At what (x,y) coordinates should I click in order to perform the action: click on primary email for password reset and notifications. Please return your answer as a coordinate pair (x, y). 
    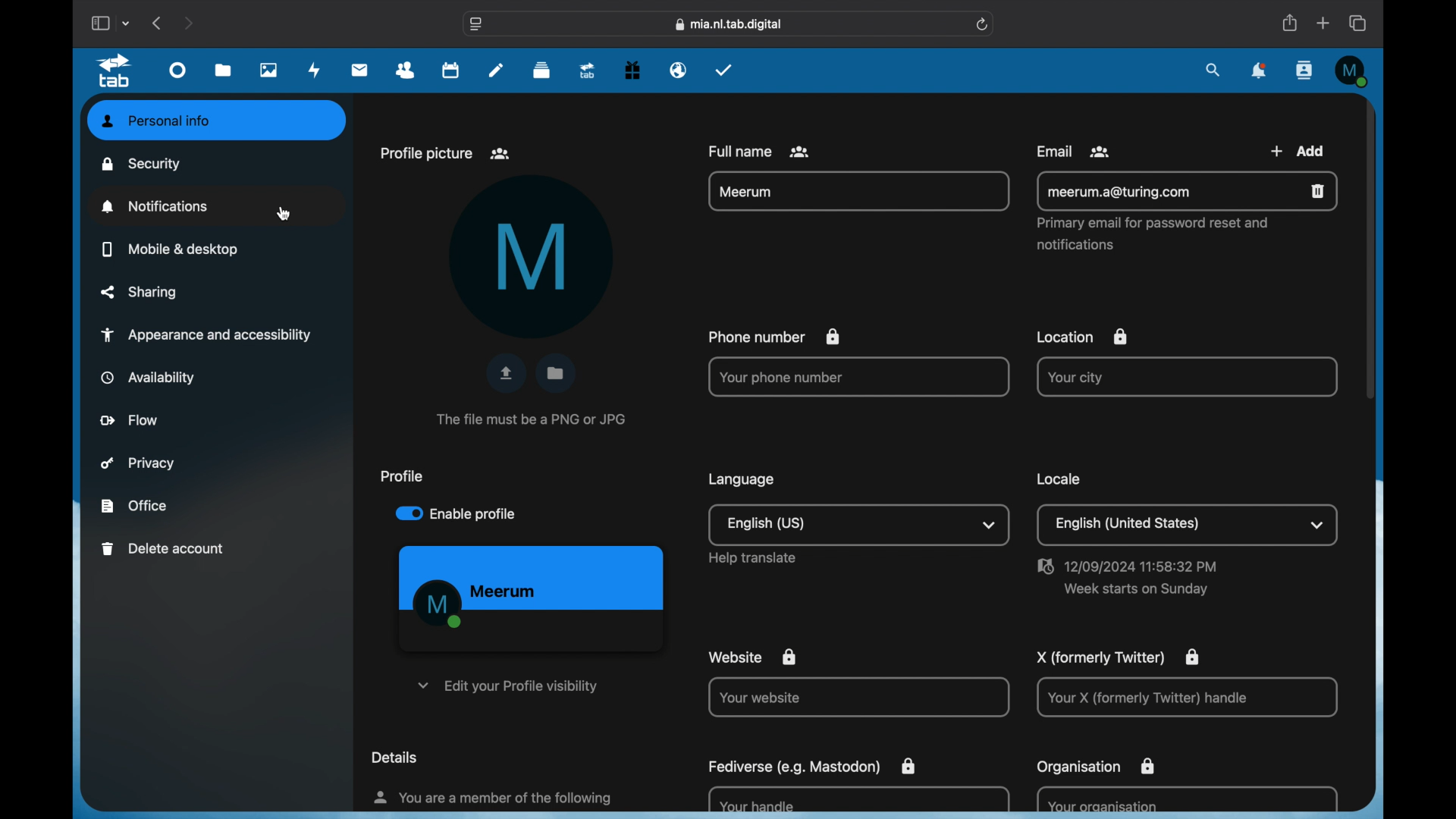
    Looking at the image, I should click on (1153, 234).